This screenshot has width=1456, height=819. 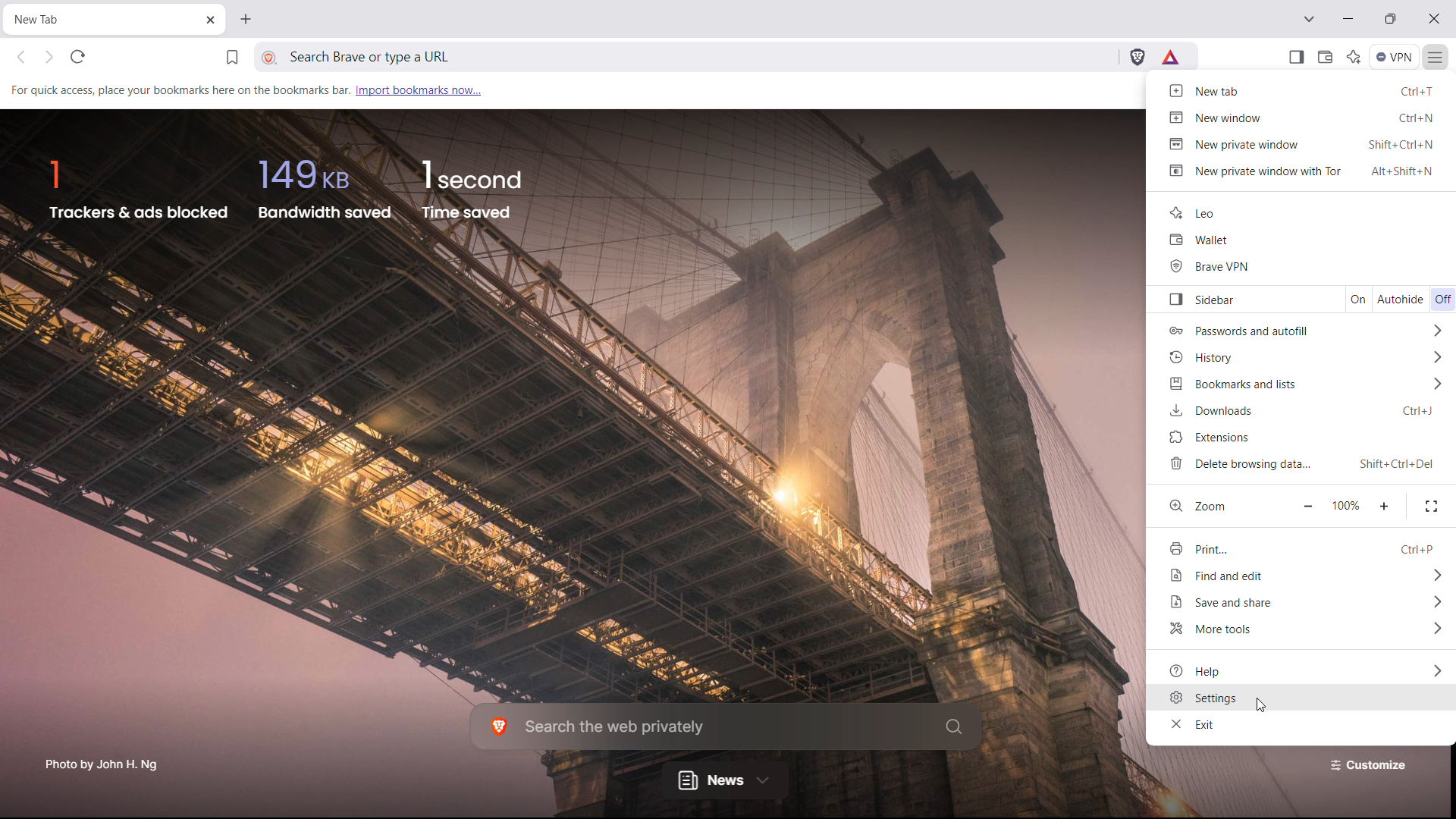 I want to click on exit, so click(x=1300, y=726).